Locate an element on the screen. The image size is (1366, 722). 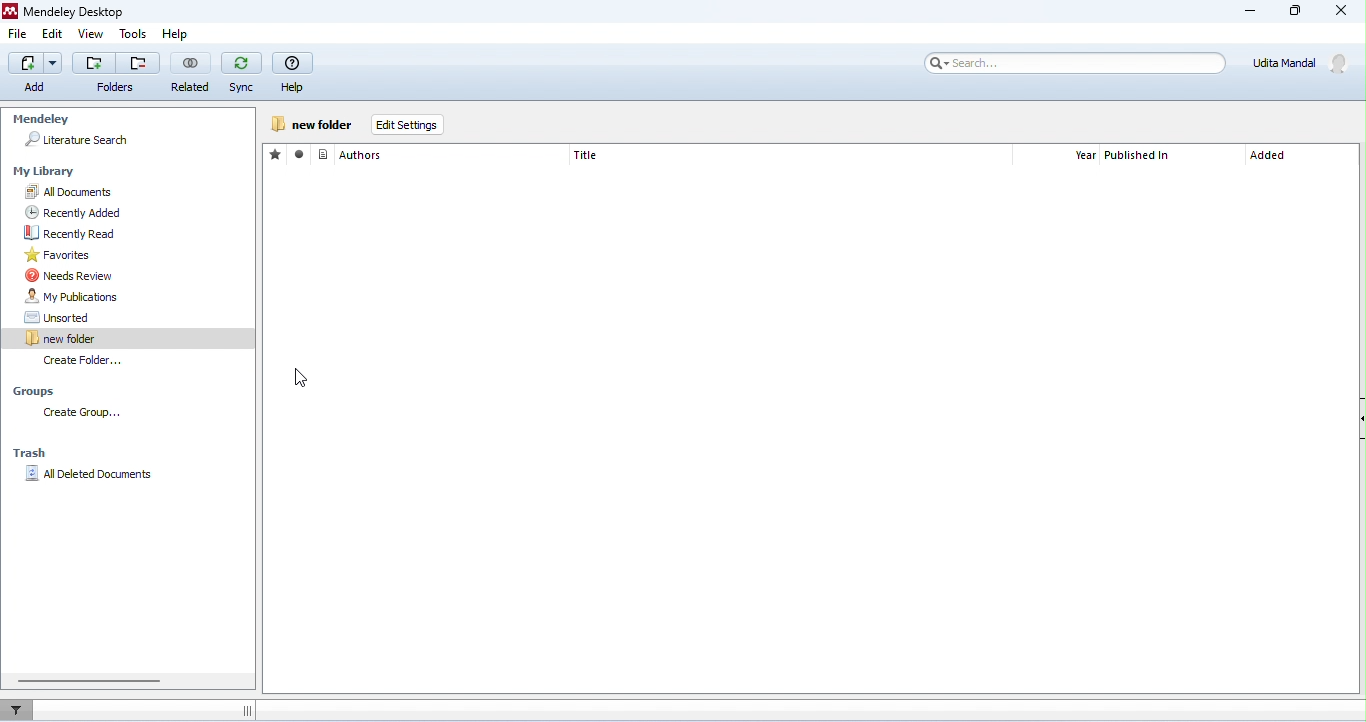
file is located at coordinates (18, 33).